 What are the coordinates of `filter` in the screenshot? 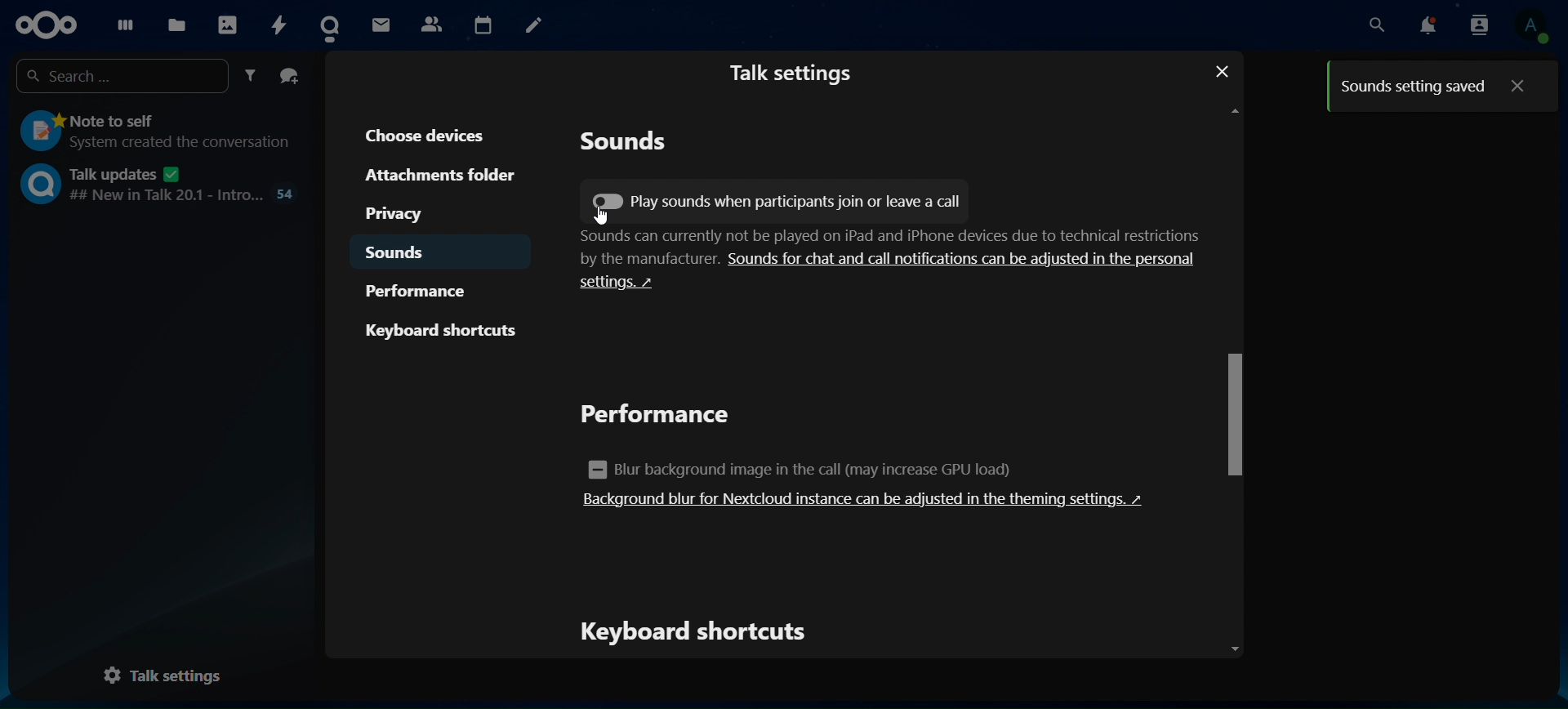 It's located at (251, 77).